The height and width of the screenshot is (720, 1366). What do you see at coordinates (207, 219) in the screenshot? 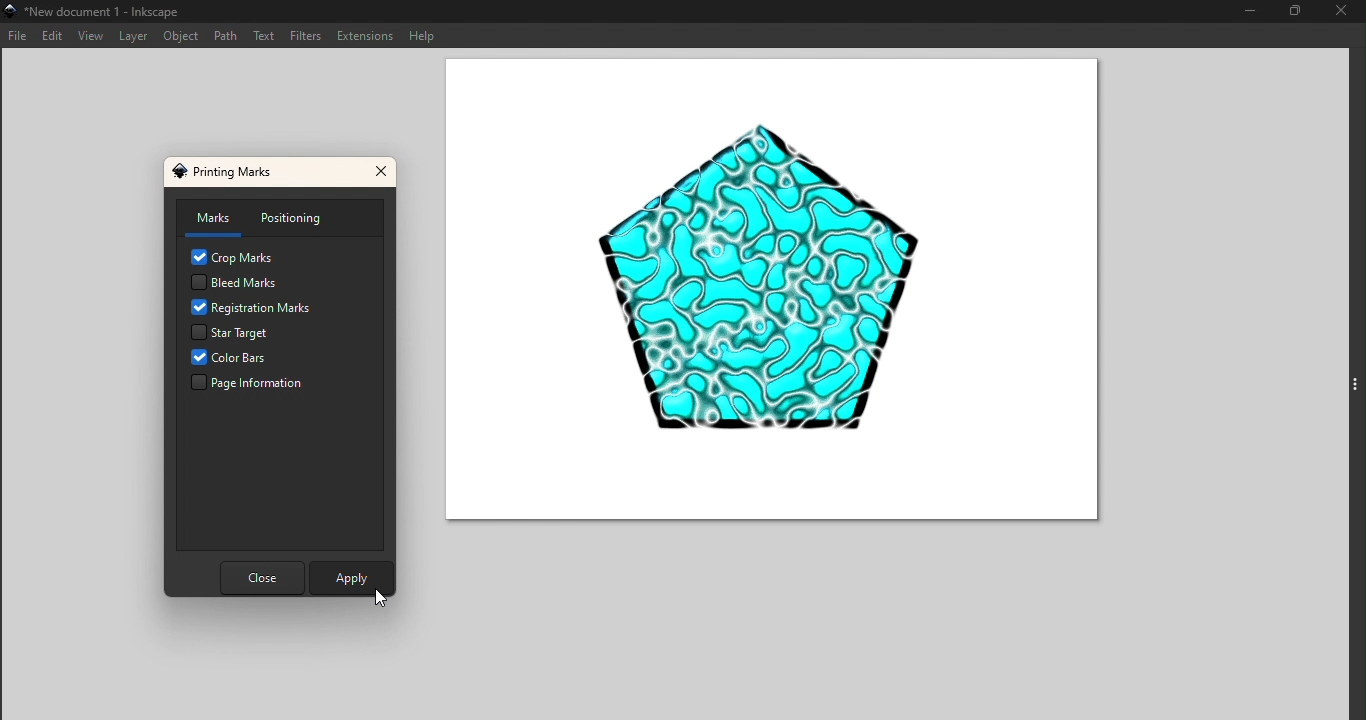
I see `Marks` at bounding box center [207, 219].